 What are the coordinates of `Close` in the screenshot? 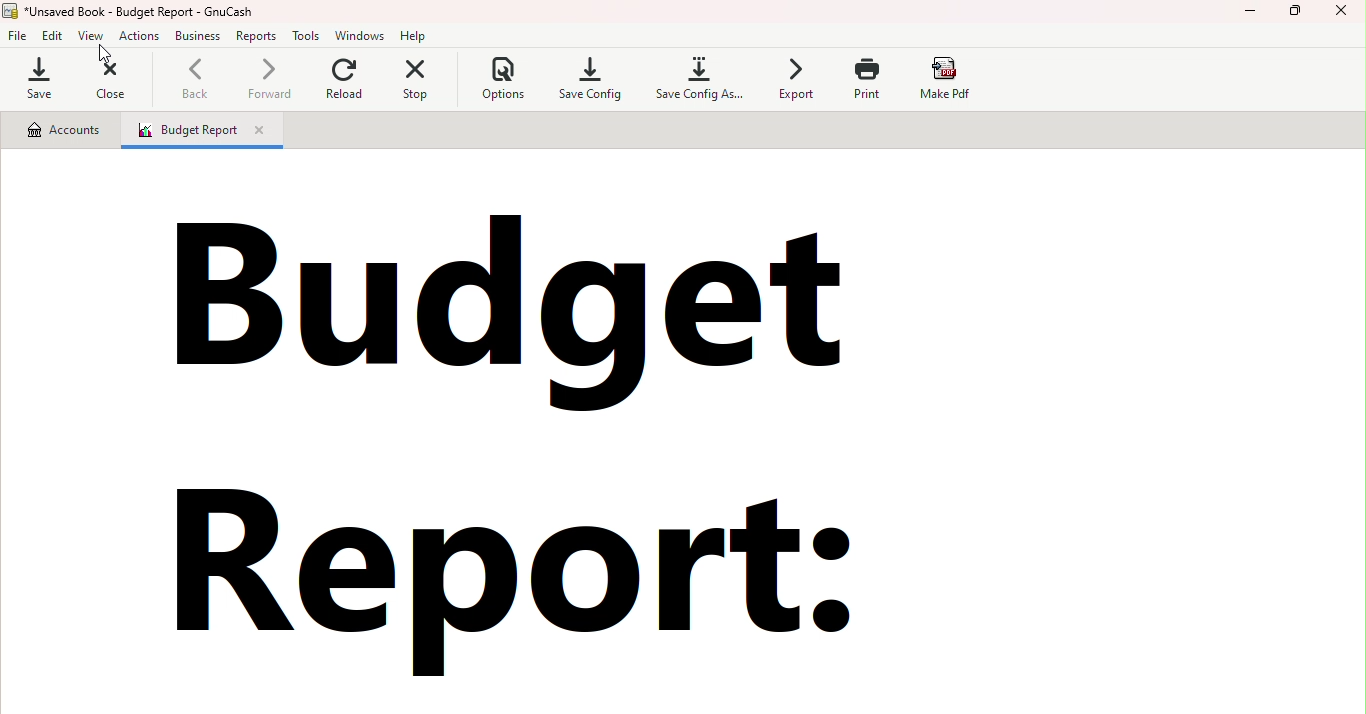 It's located at (265, 131).